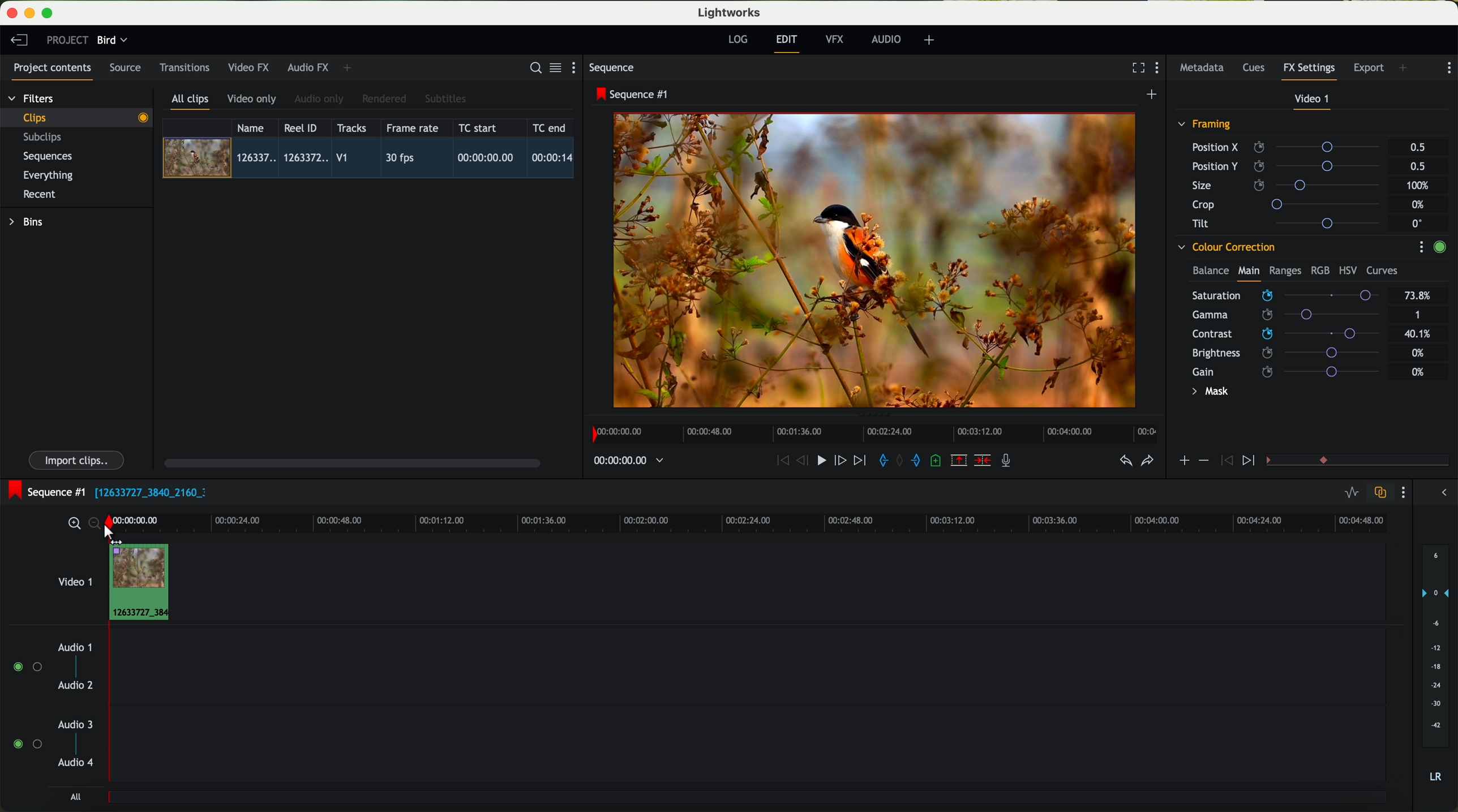 The width and height of the screenshot is (1458, 812). I want to click on audio output level (d/B), so click(1436, 667).